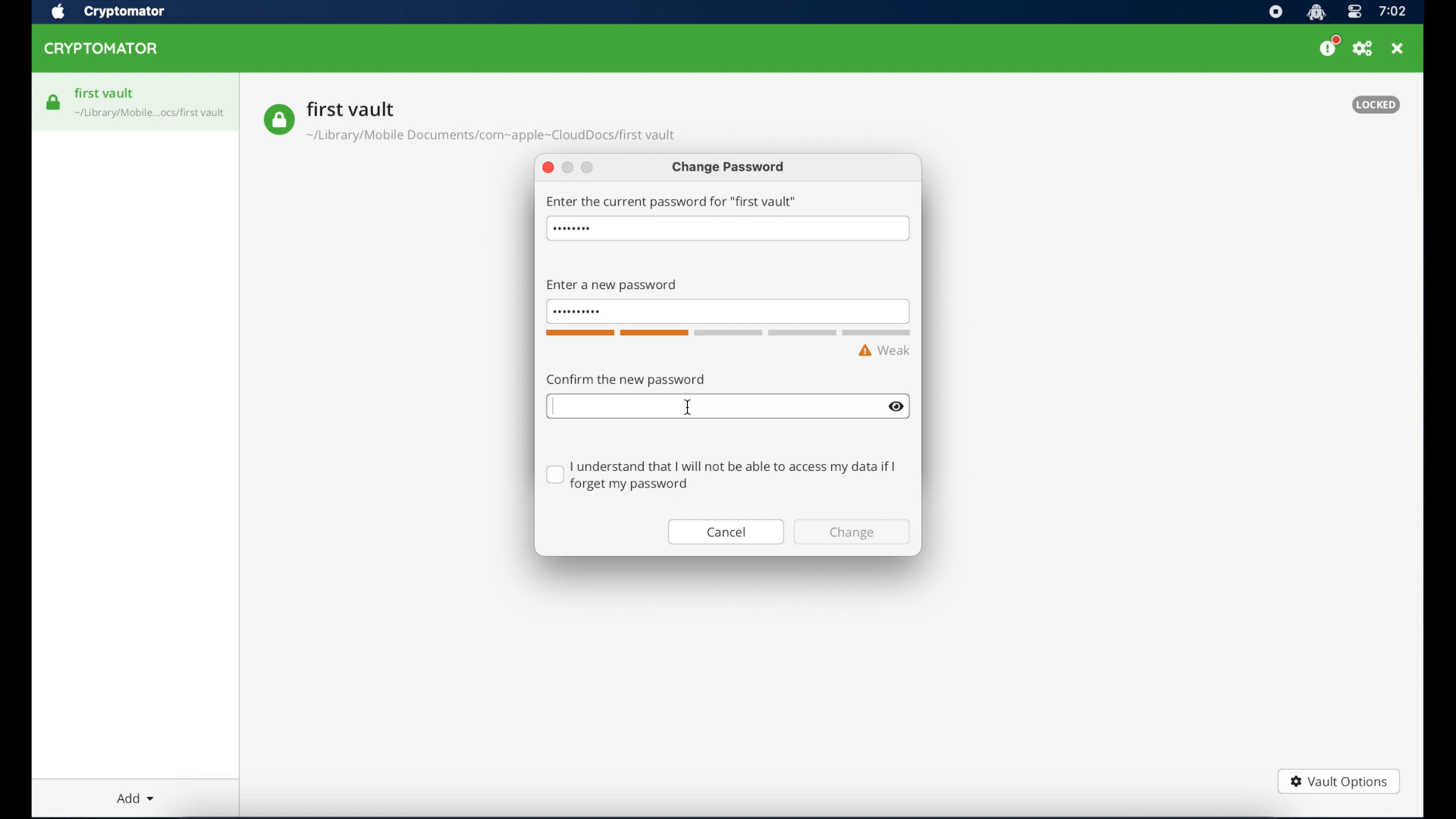  Describe the element at coordinates (552, 405) in the screenshot. I see `text cursor` at that location.